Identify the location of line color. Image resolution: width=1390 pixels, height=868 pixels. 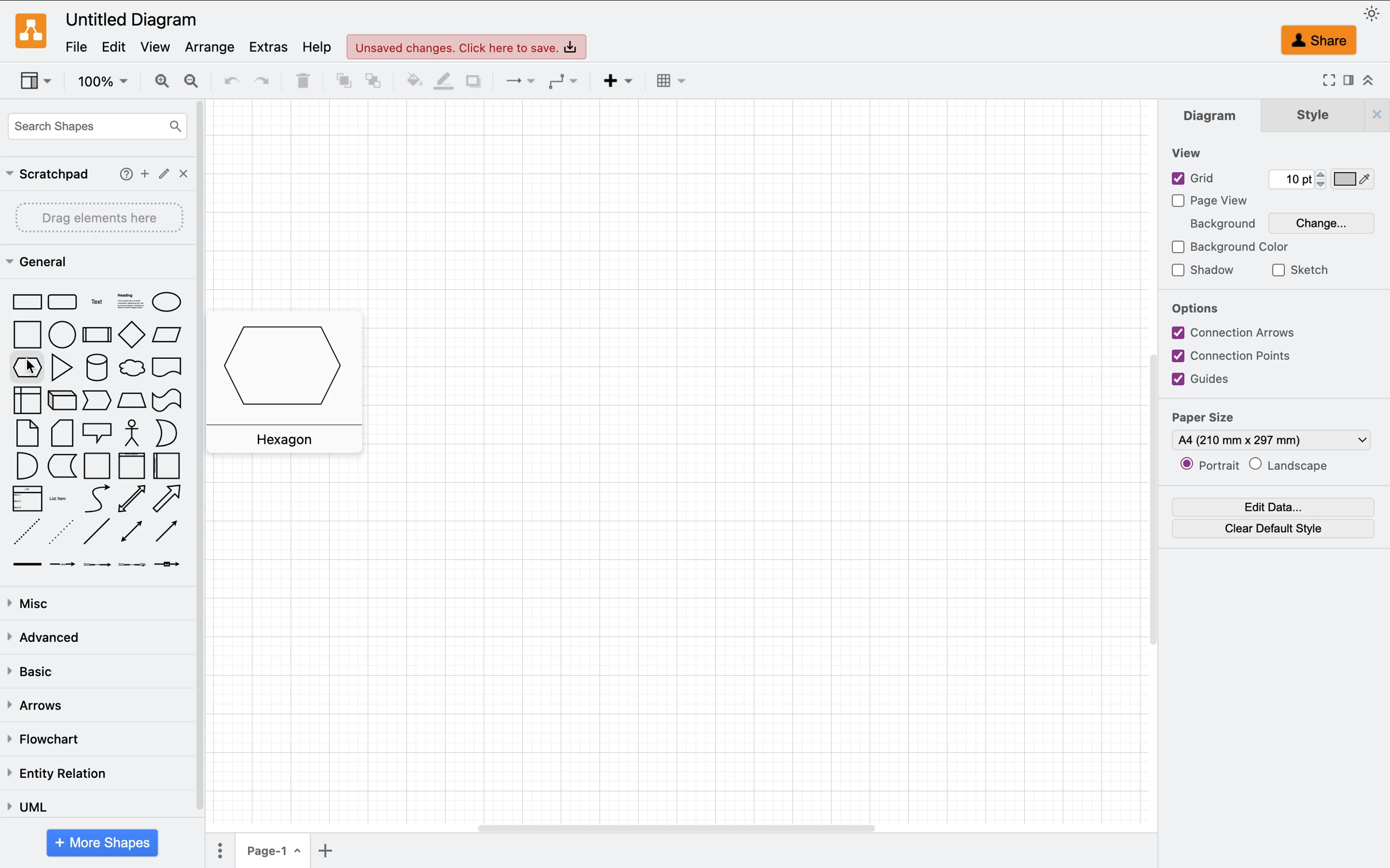
(439, 81).